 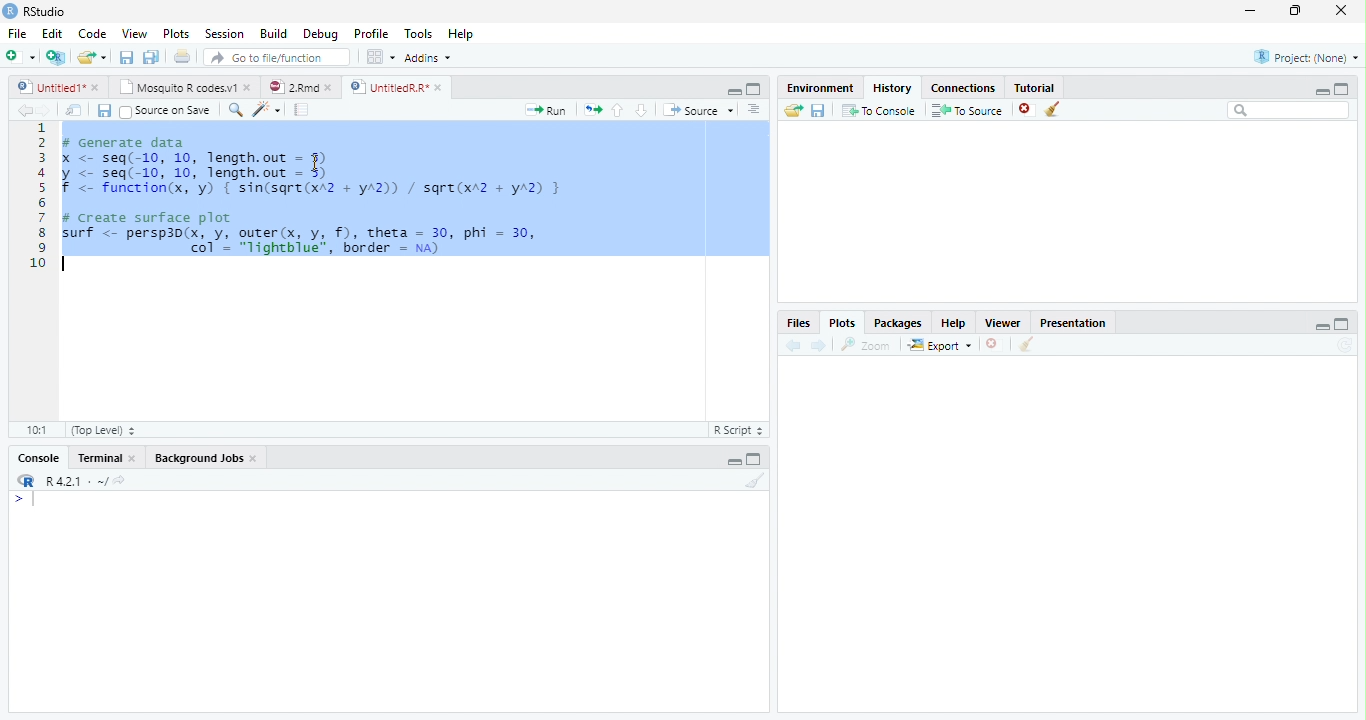 What do you see at coordinates (48, 86) in the screenshot?
I see `Untitled1*` at bounding box center [48, 86].